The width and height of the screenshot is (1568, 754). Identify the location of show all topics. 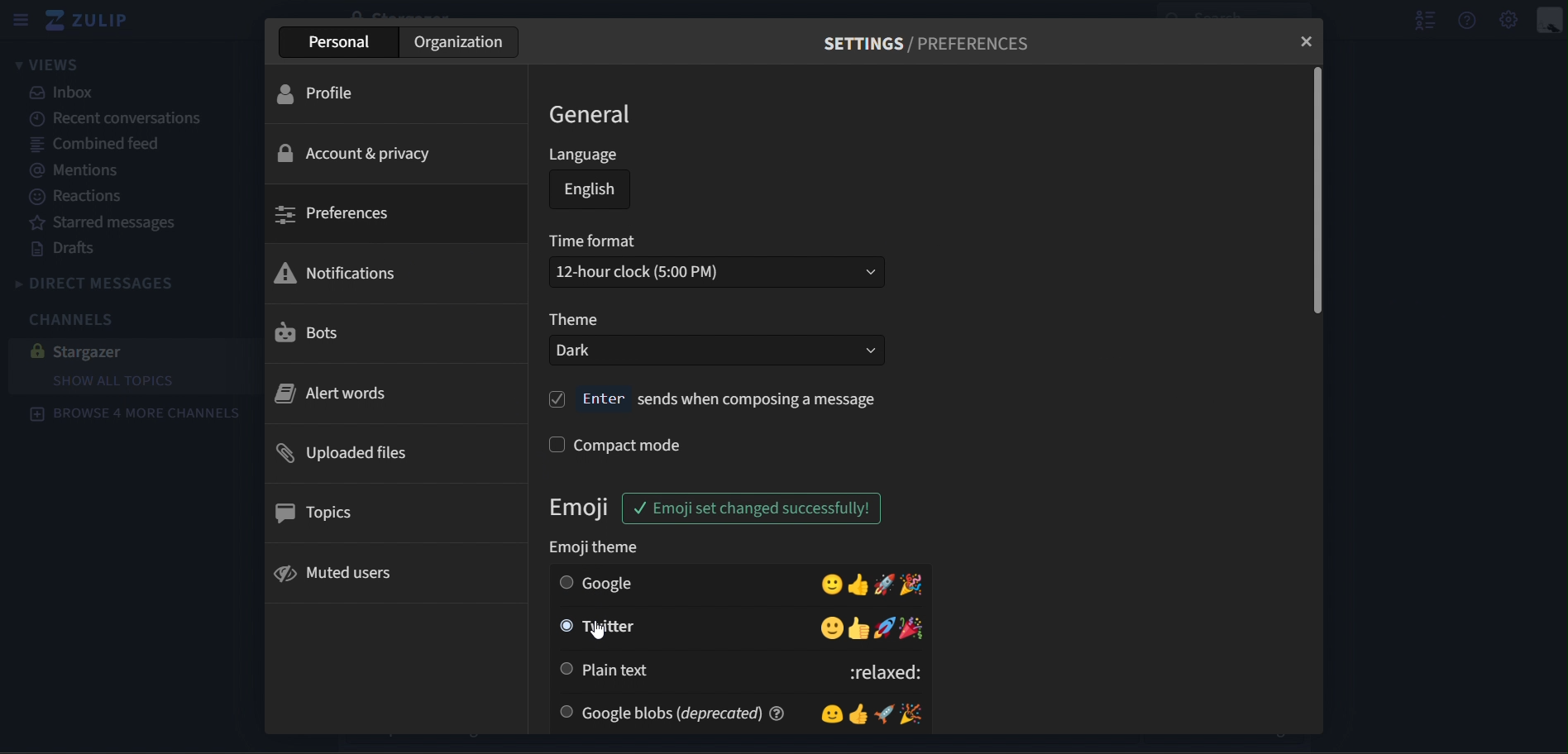
(118, 380).